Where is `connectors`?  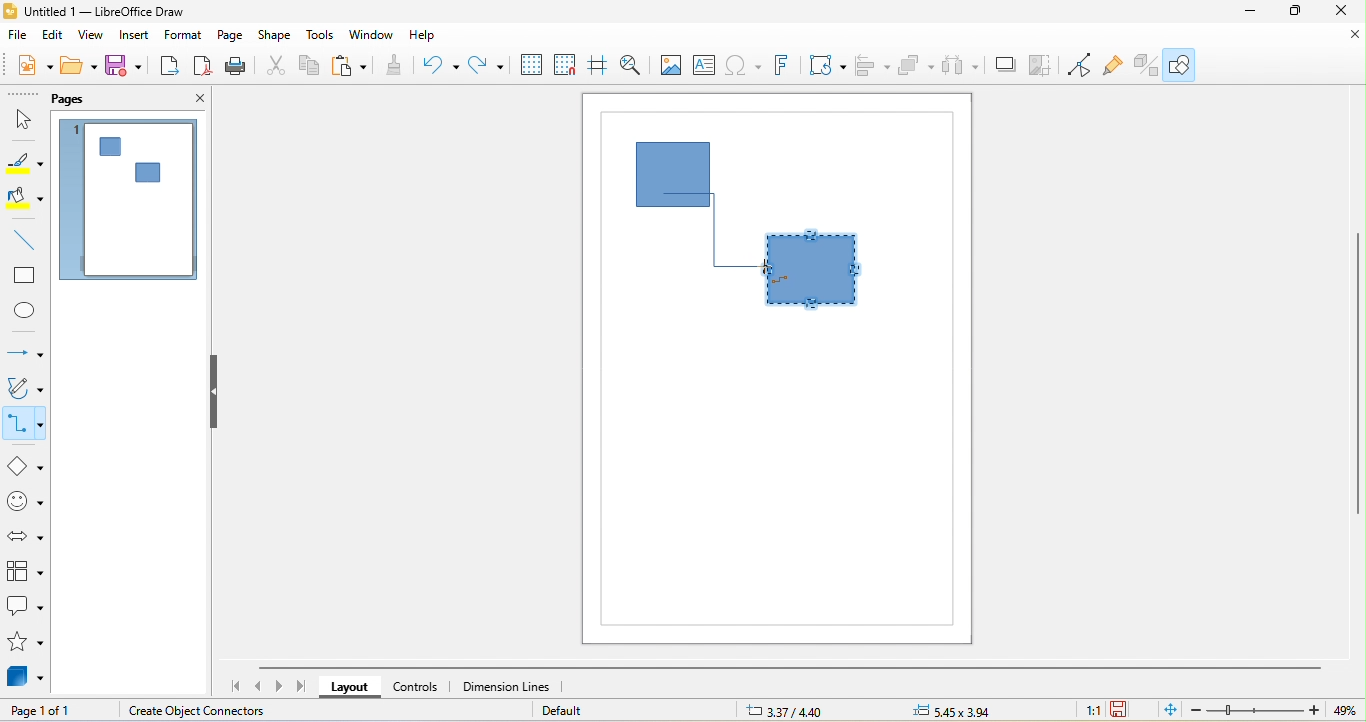 connectors is located at coordinates (26, 427).